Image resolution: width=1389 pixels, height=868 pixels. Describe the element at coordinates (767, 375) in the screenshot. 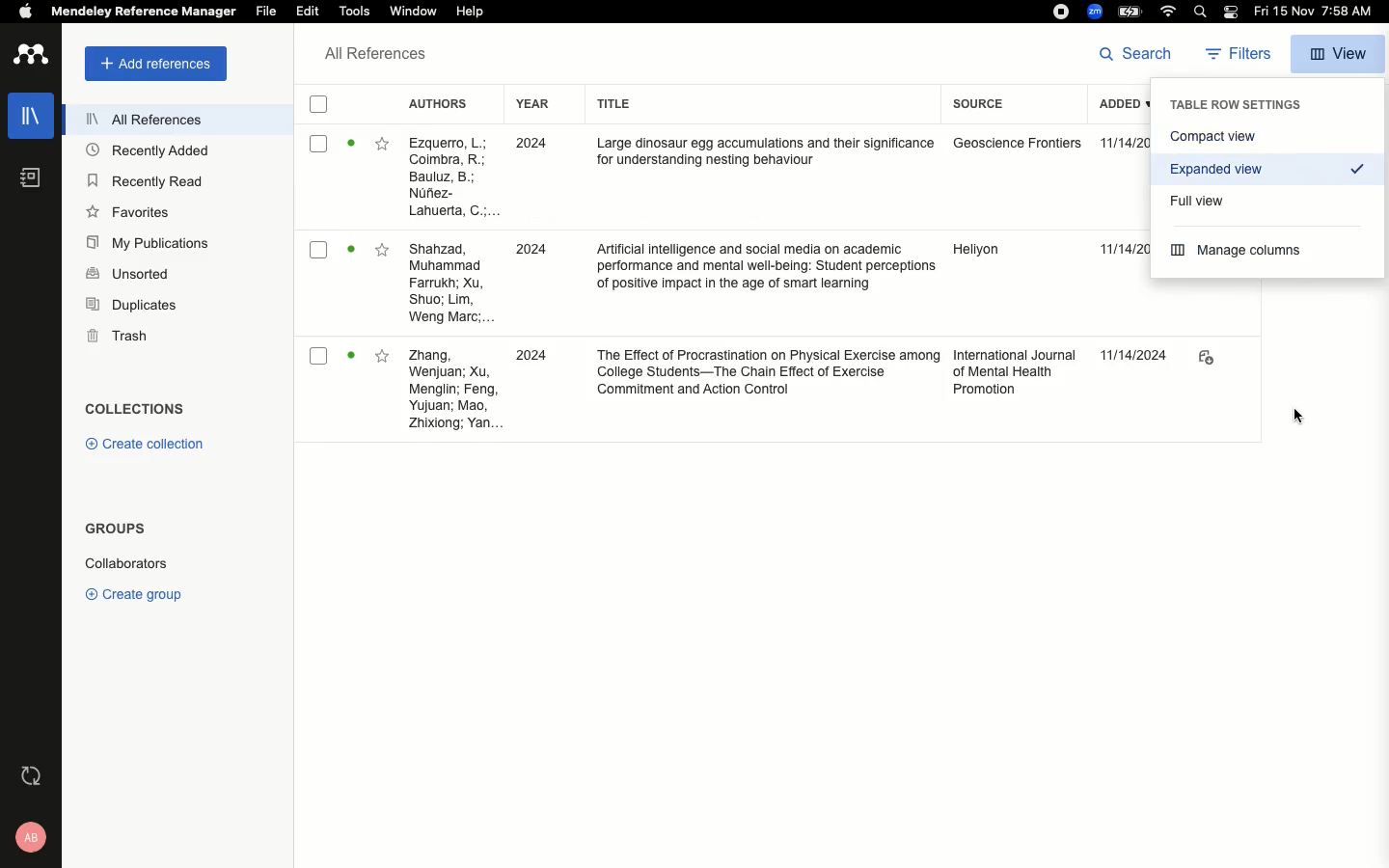

I see `4 ‘The Effect of Procrastination on Physical Exercise among
College Students—The Chain Effect of Exercise
Commitment and Action Control` at that location.